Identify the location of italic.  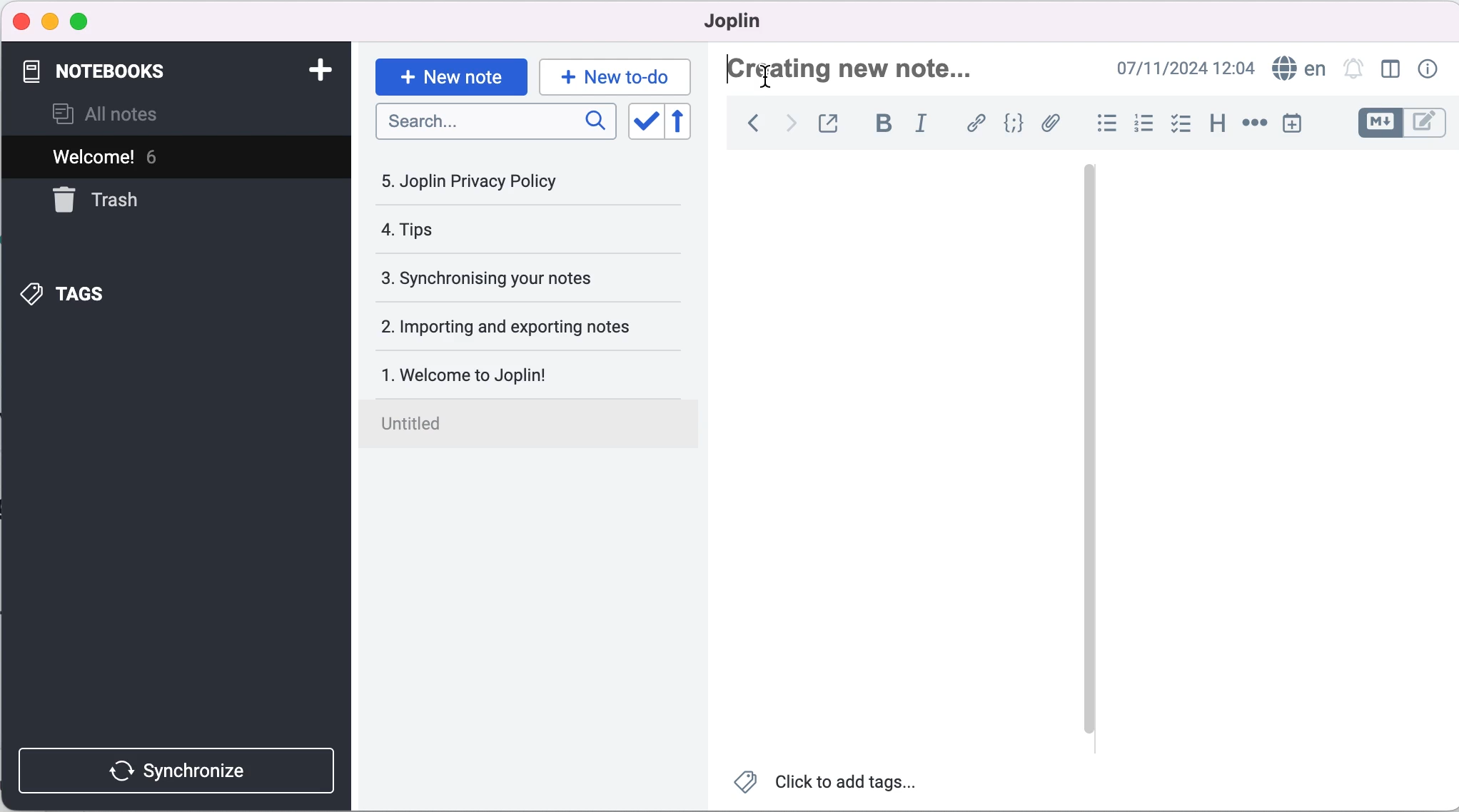
(924, 123).